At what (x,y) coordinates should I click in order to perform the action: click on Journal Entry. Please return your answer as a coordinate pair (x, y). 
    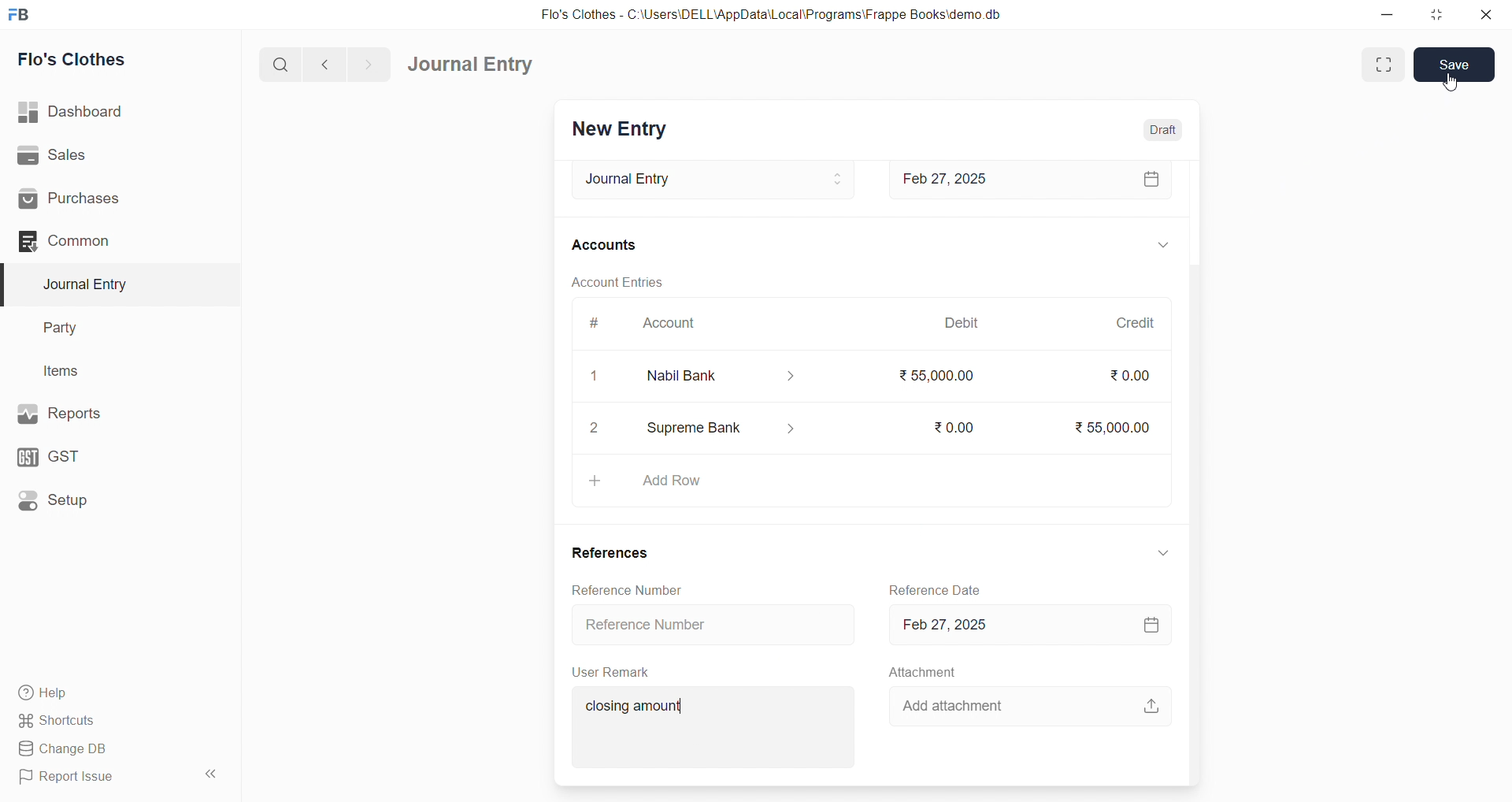
    Looking at the image, I should click on (90, 284).